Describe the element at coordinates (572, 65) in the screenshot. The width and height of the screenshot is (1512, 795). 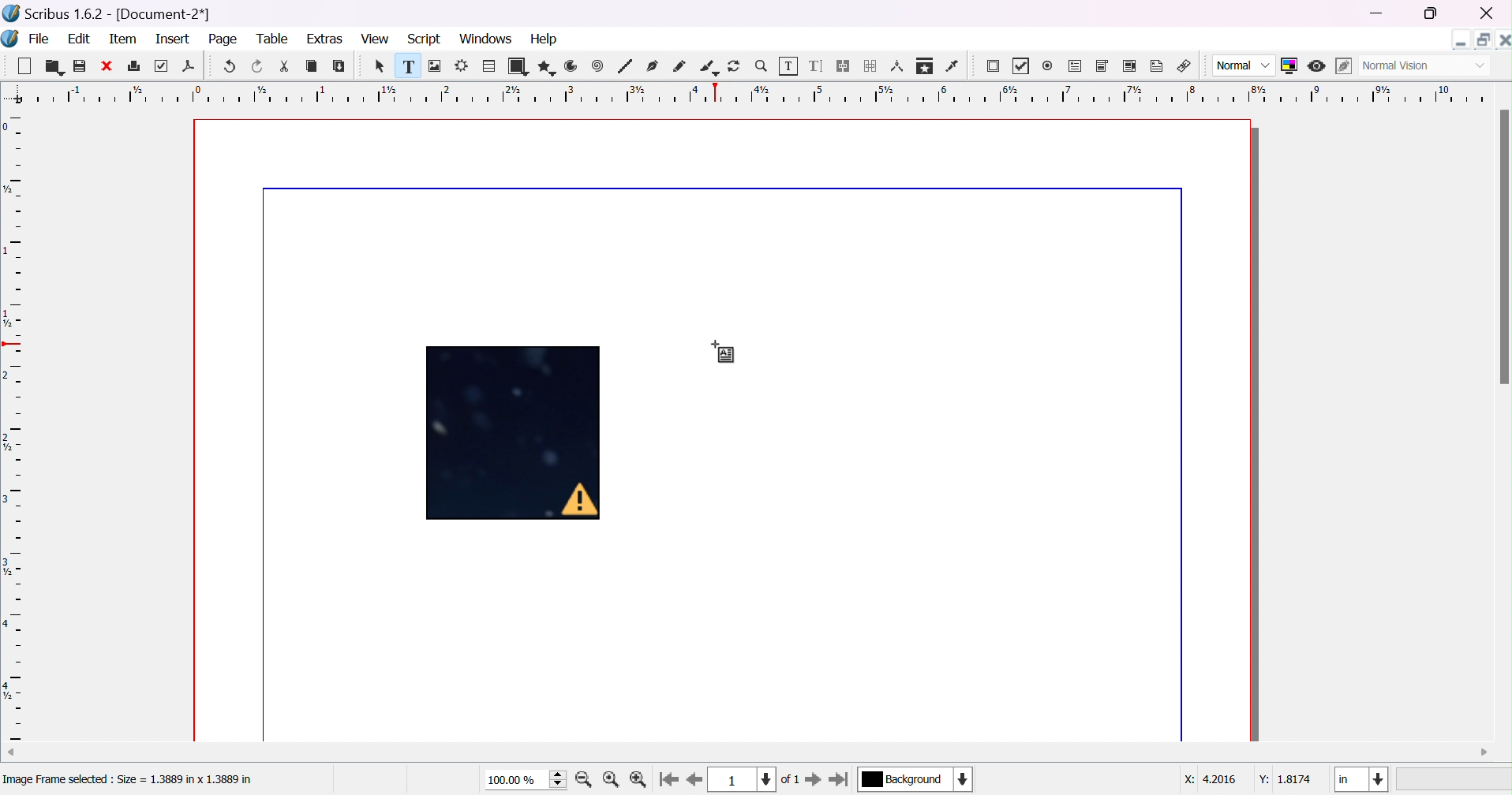
I see `arc` at that location.